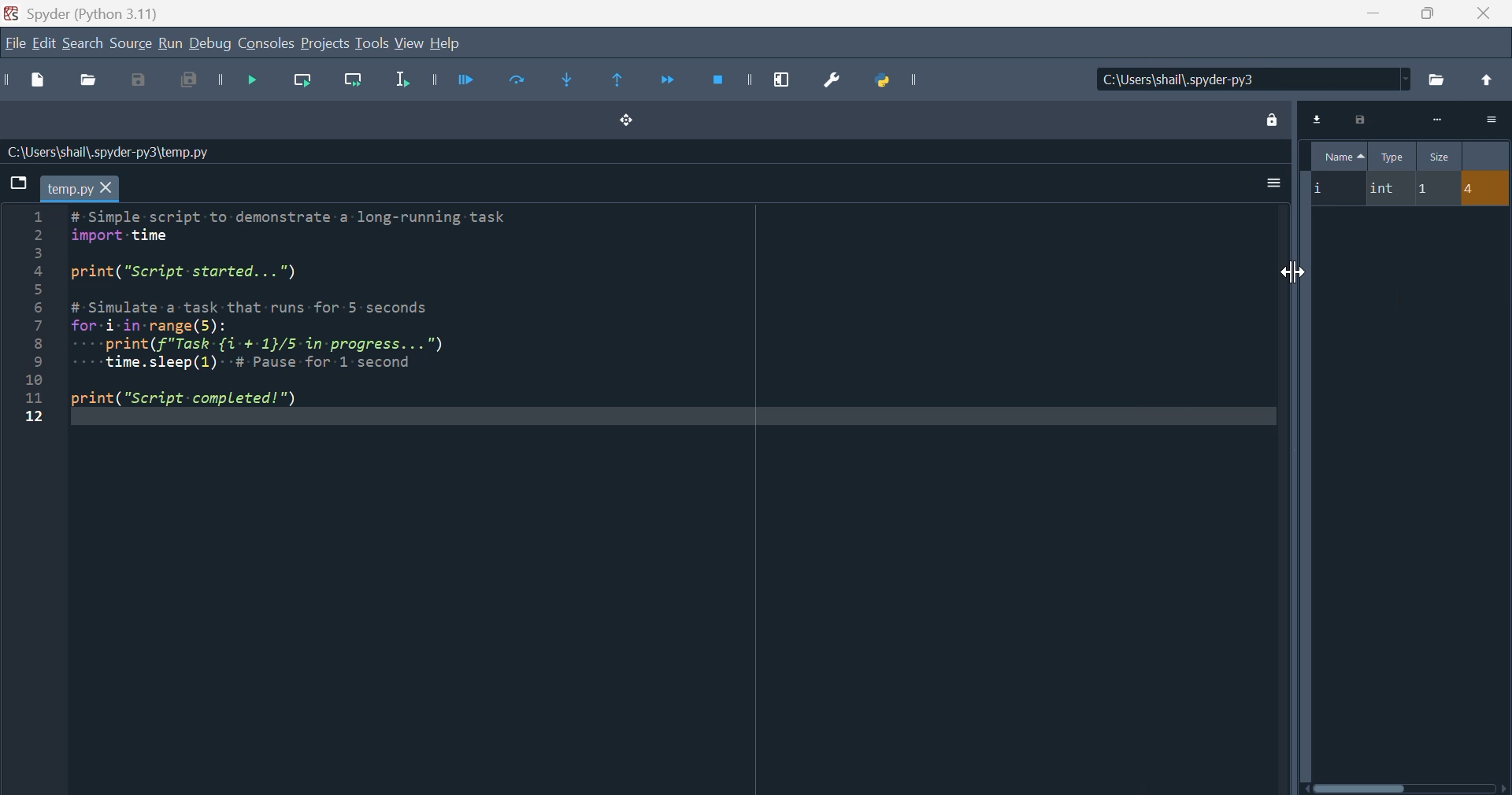 This screenshot has height=795, width=1512. What do you see at coordinates (241, 83) in the screenshot?
I see `Debug file` at bounding box center [241, 83].